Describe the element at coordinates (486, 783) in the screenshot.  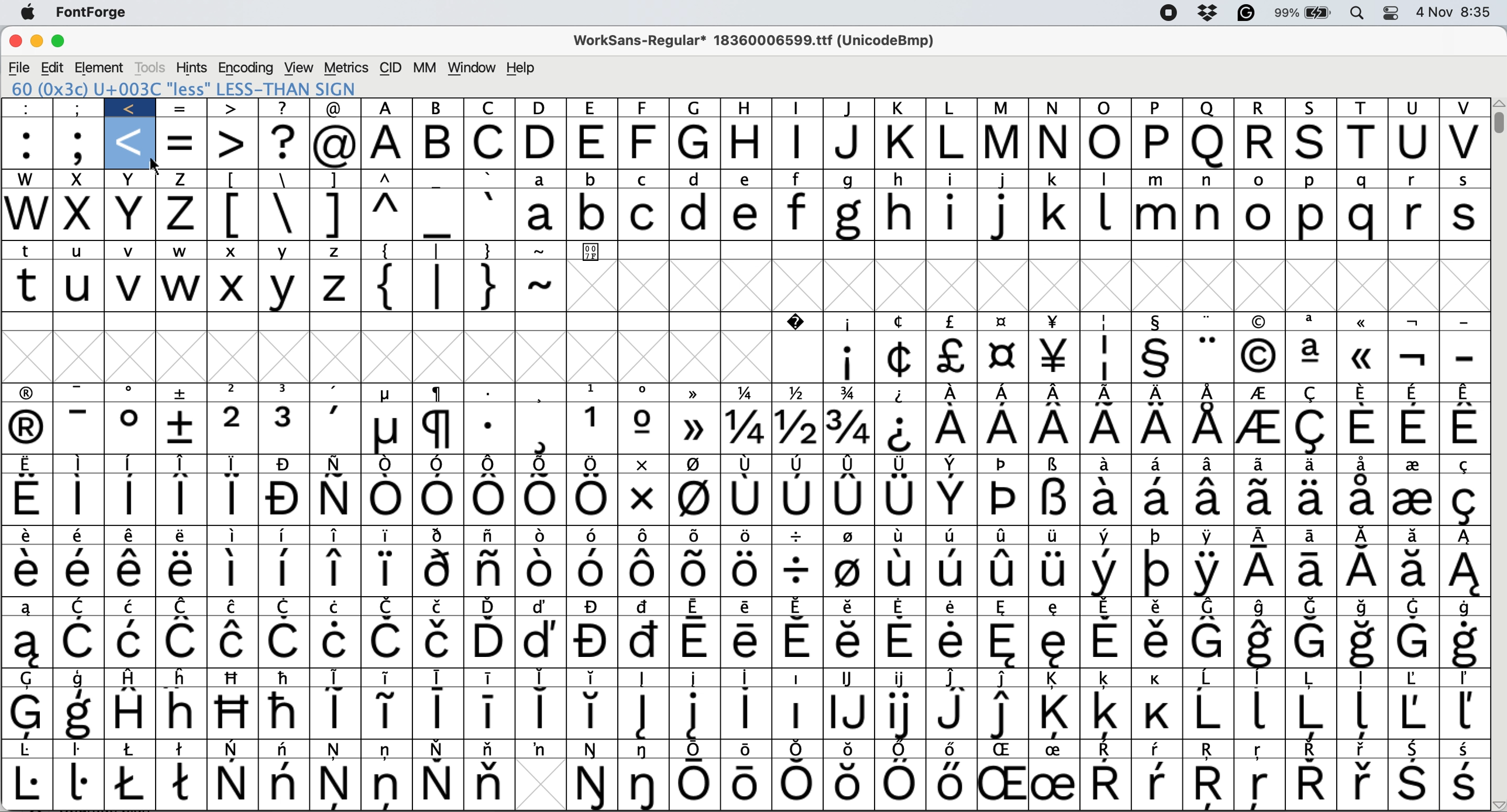
I see `Symbol` at that location.